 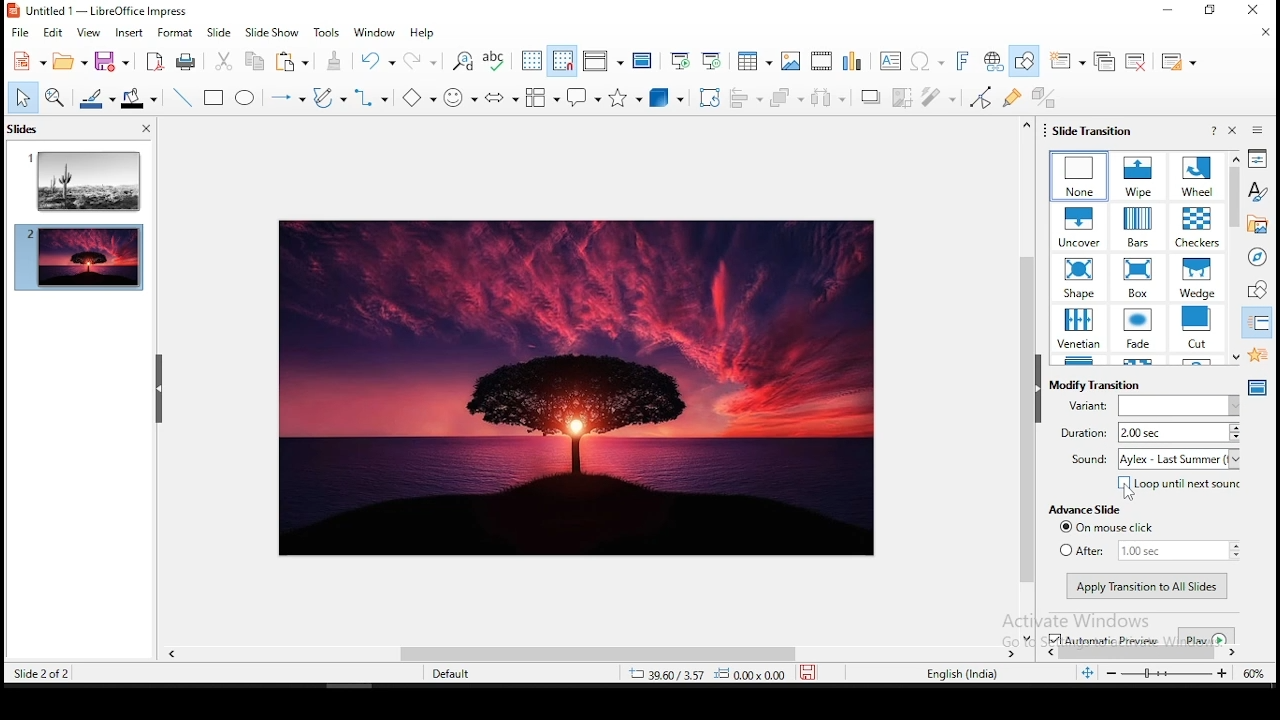 I want to click on slide layout, so click(x=1179, y=60).